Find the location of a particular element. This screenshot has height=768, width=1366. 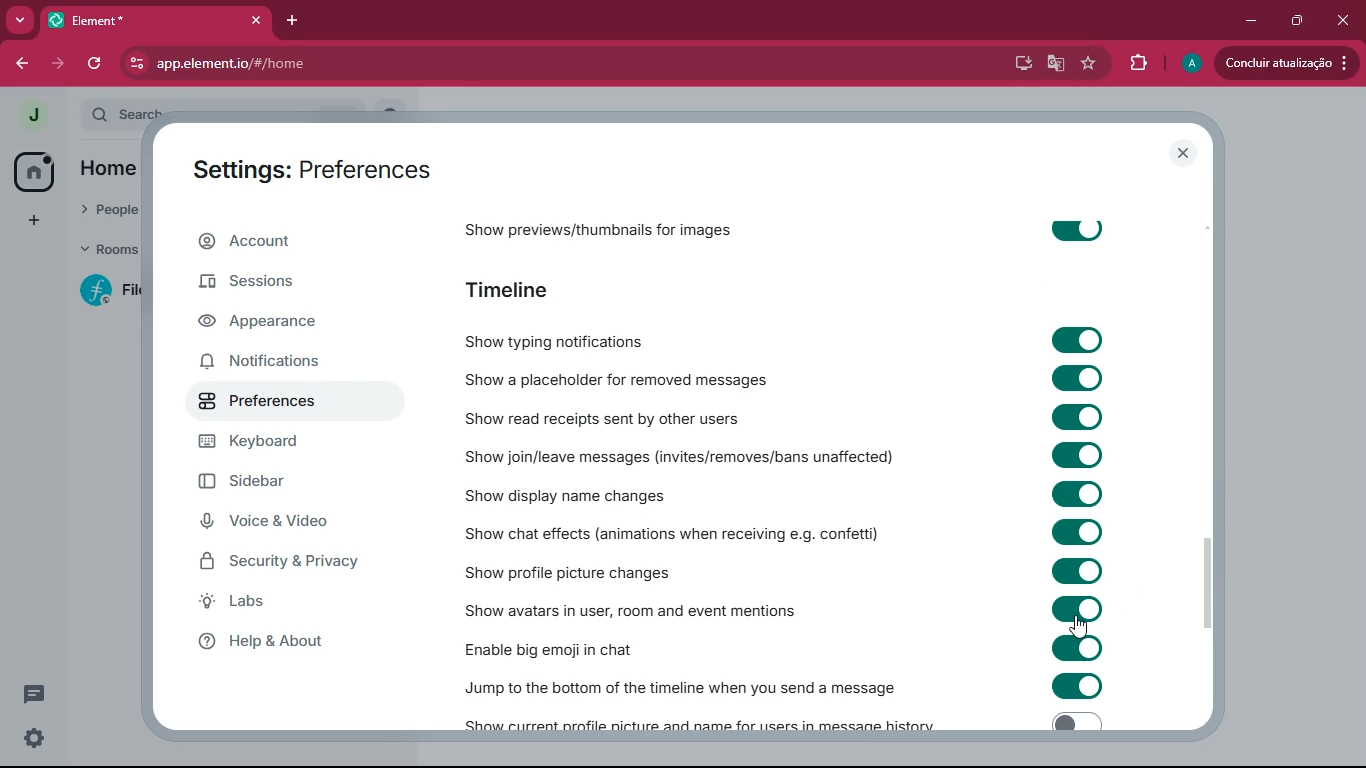

toggle on  is located at coordinates (1083, 341).